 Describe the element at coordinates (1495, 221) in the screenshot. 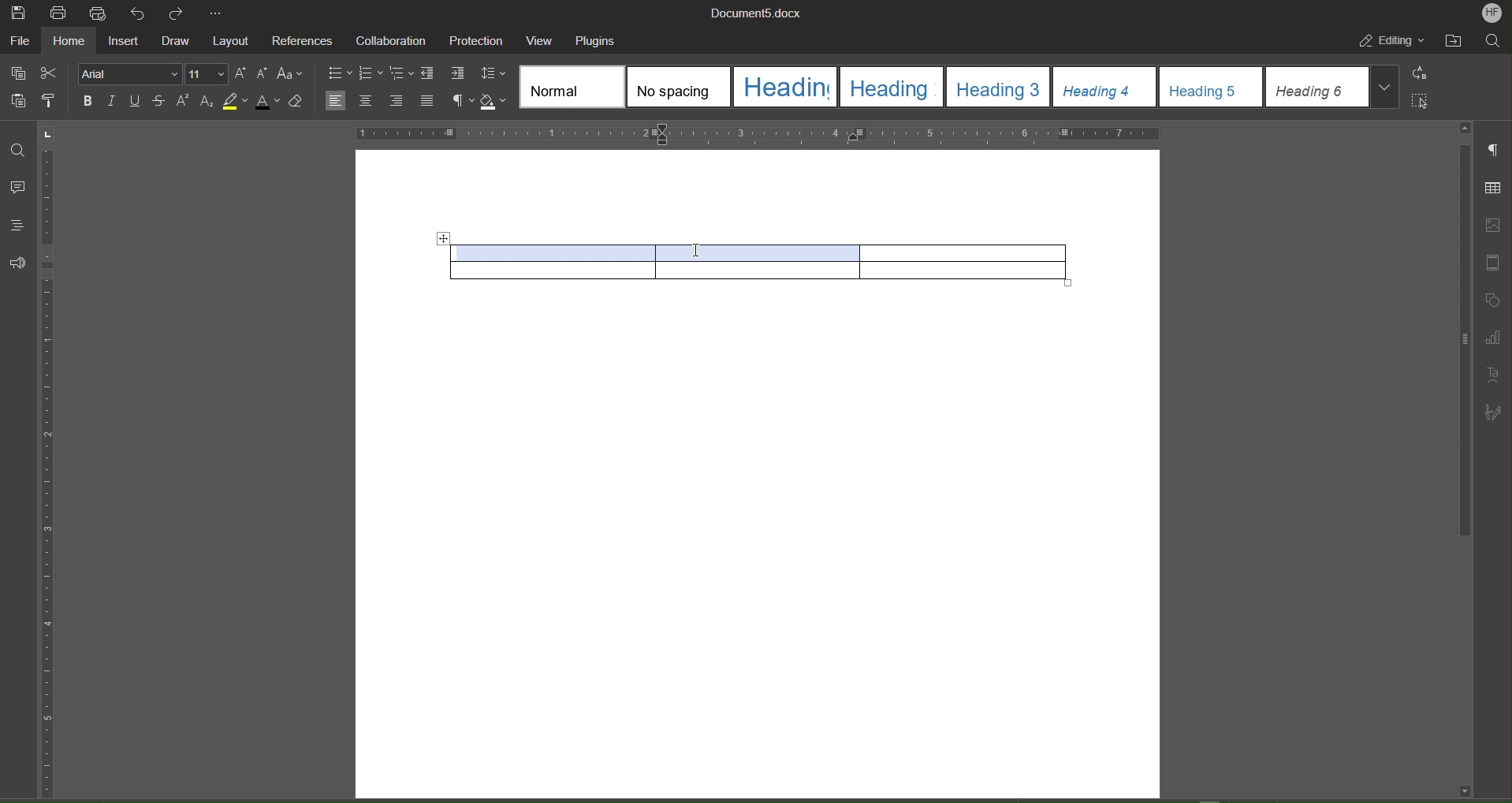

I see `Image Settings` at that location.